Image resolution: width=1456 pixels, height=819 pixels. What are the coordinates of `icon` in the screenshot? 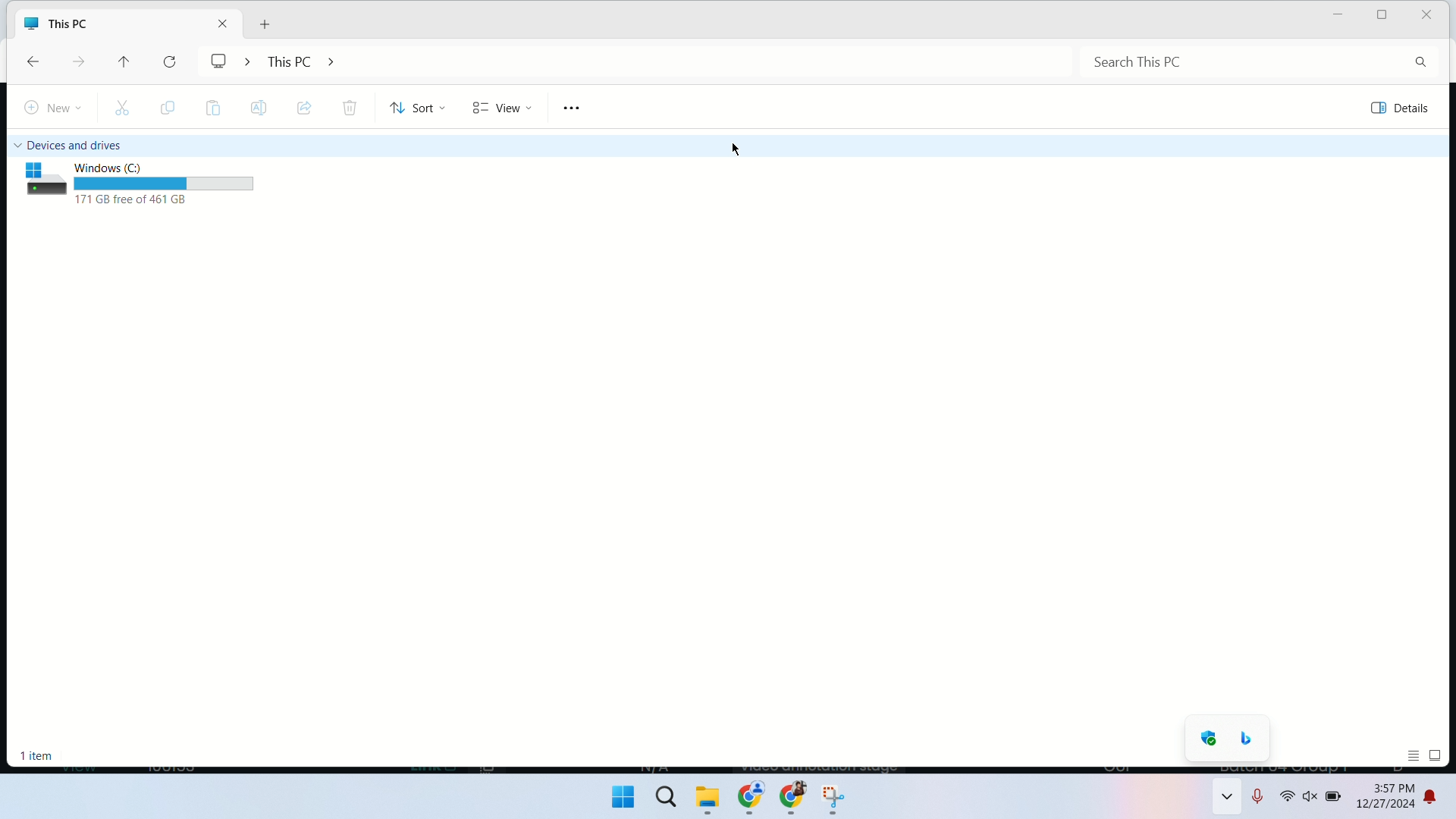 It's located at (44, 178).